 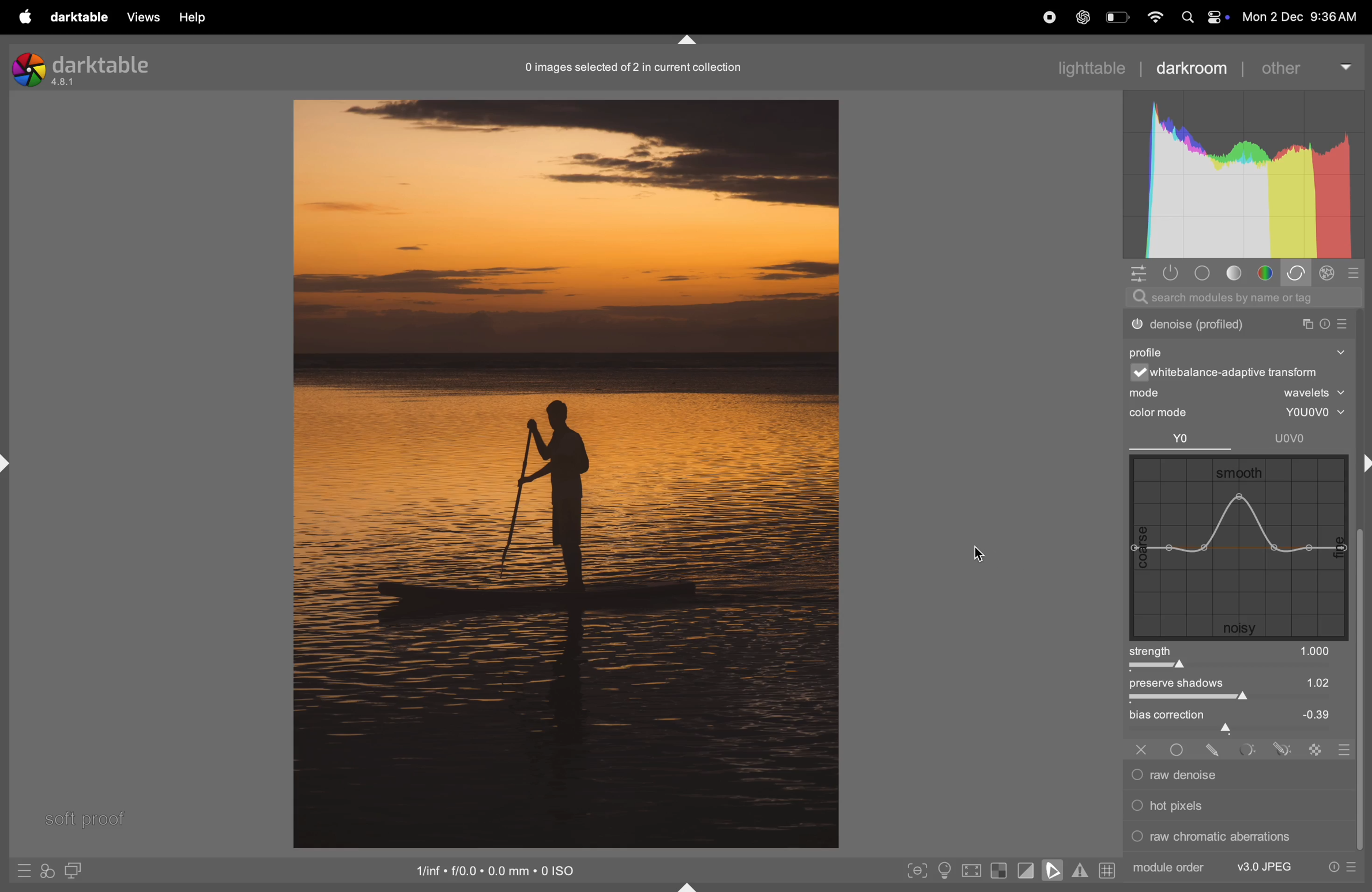 I want to click on bias correction, so click(x=1241, y=716).